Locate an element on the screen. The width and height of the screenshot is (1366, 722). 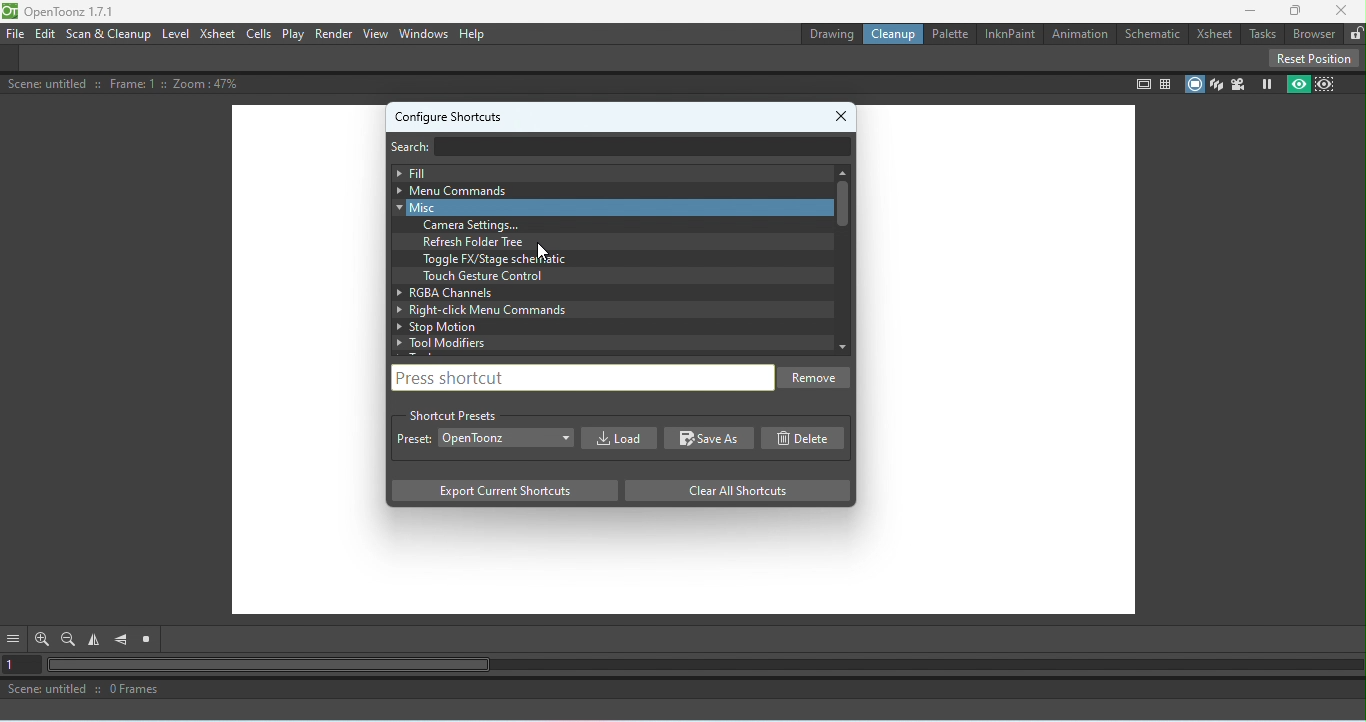
Scene: untitled :: Frame: 1 :: Zoom :47% is located at coordinates (126, 84).